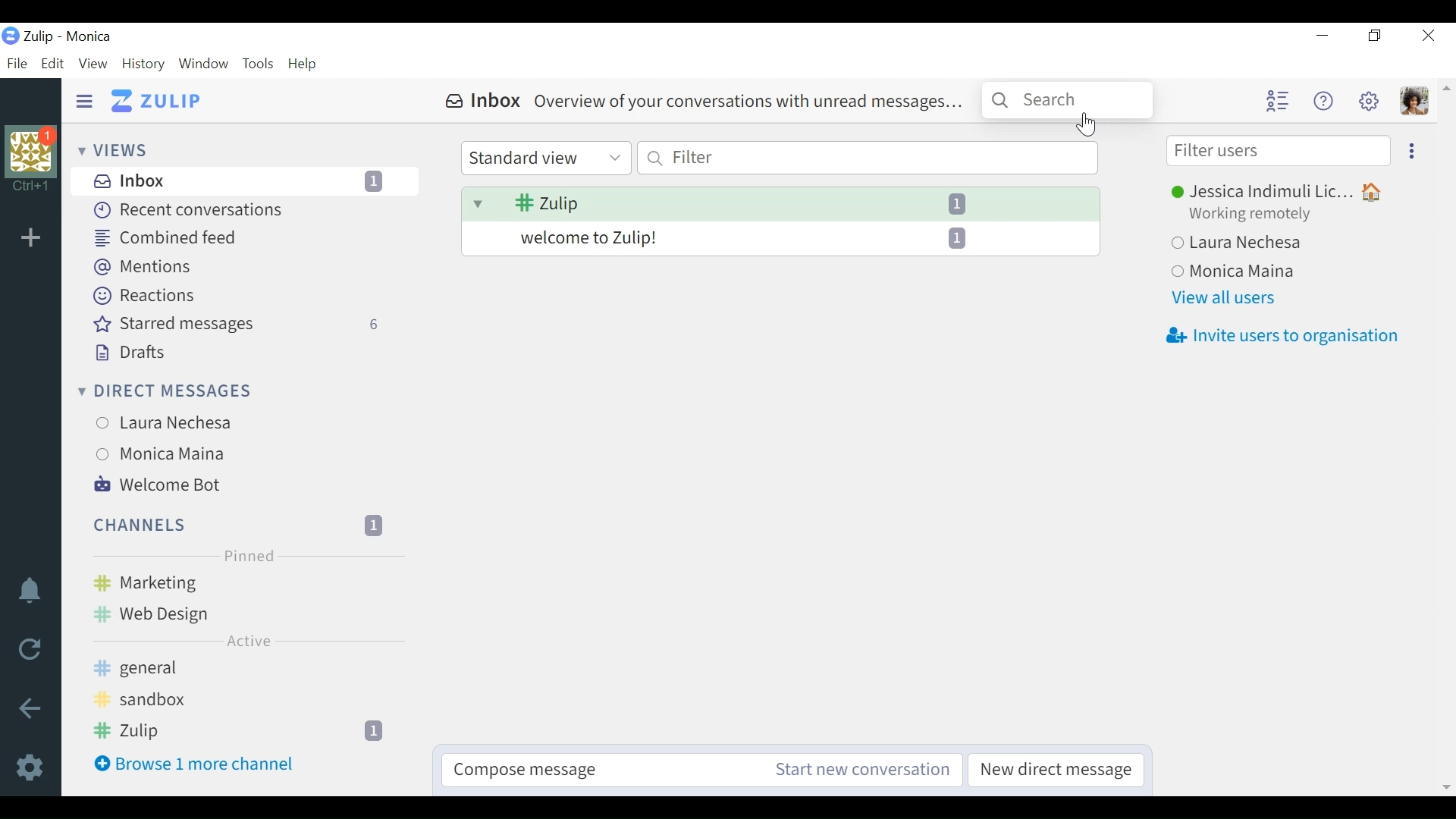 The image size is (1456, 819). I want to click on Channels, so click(240, 526).